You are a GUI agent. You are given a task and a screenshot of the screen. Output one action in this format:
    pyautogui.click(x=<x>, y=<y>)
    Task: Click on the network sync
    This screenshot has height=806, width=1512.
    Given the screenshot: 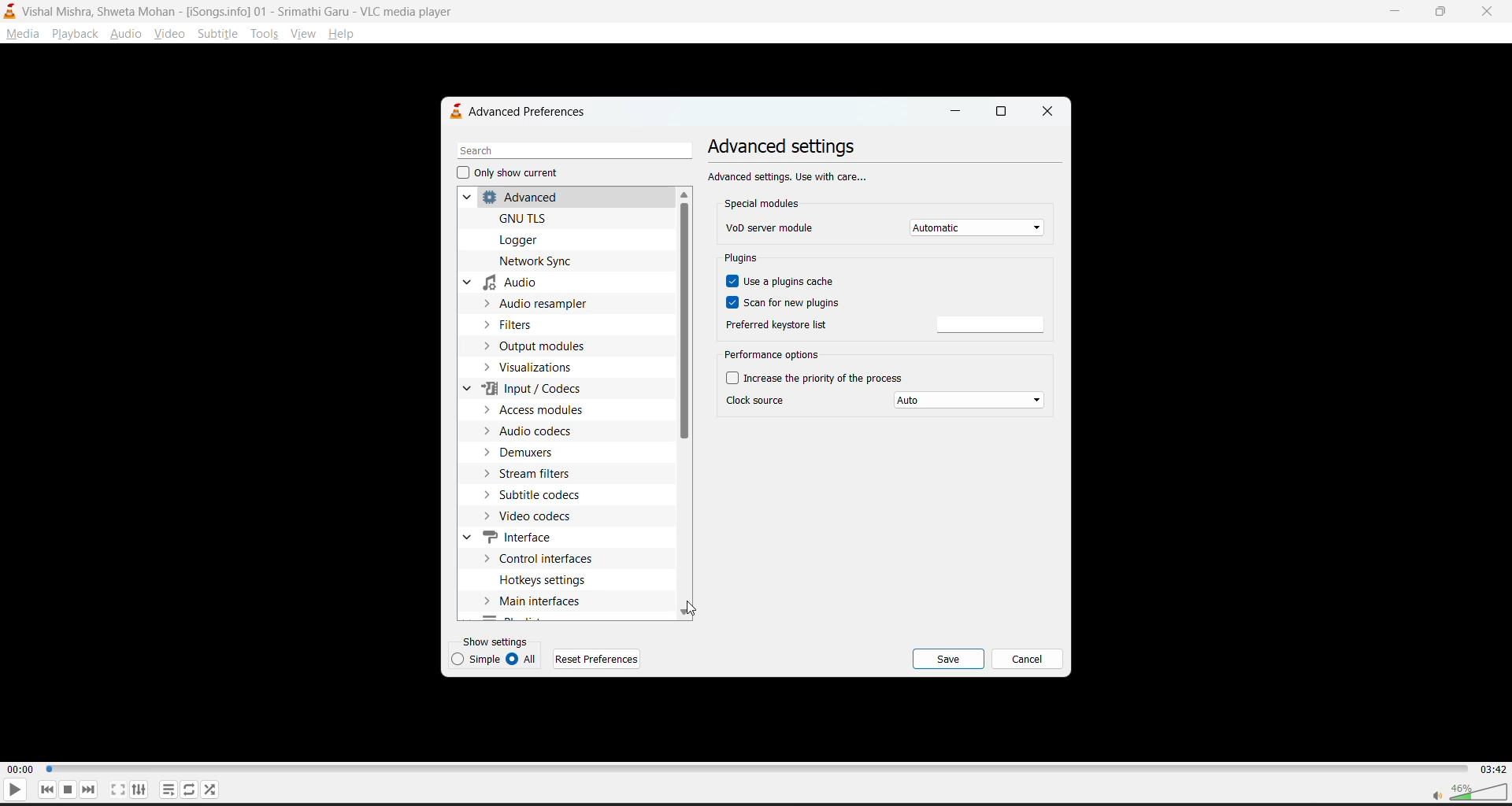 What is the action you would take?
    pyautogui.click(x=537, y=262)
    